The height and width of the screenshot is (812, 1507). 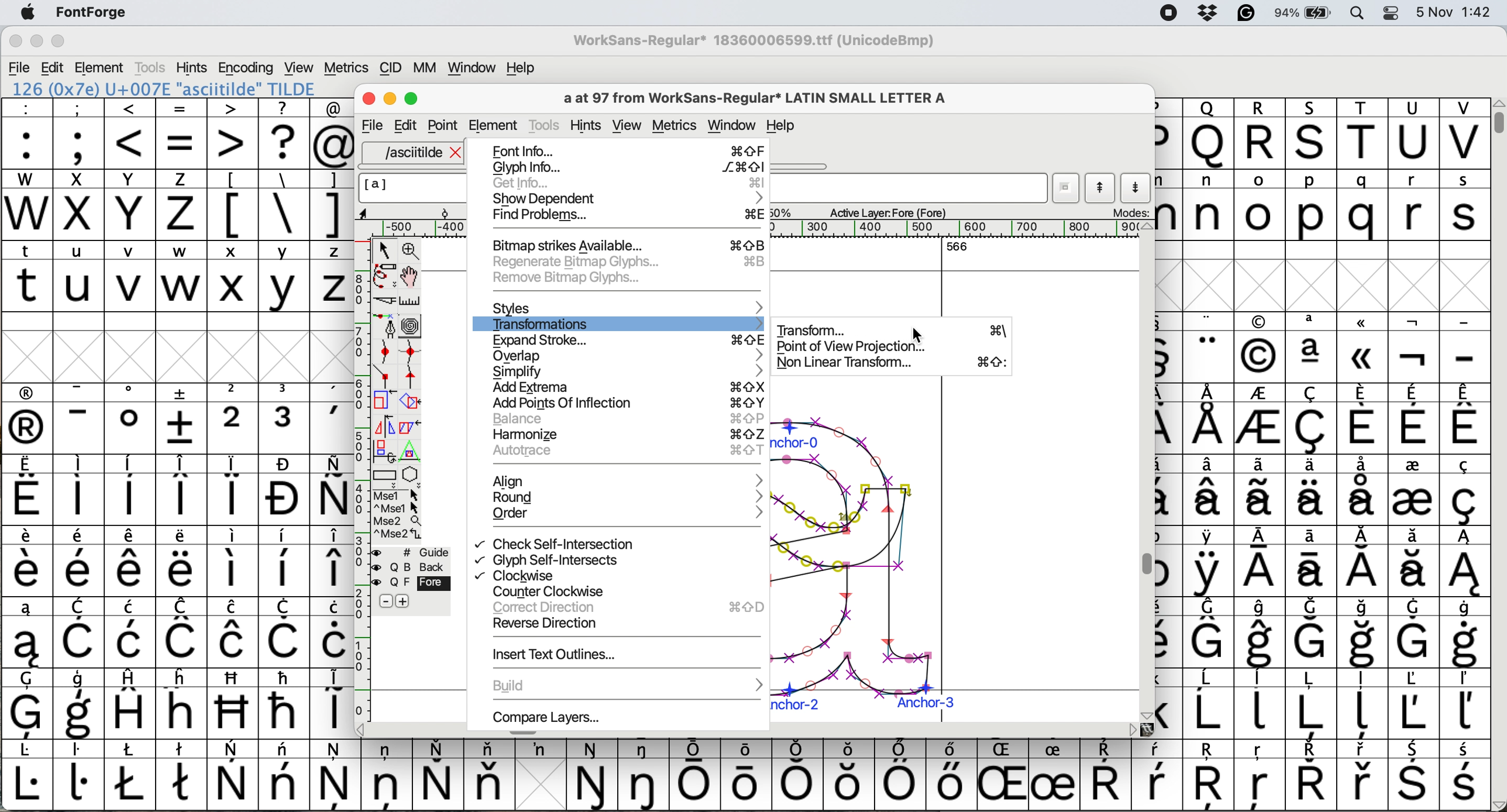 What do you see at coordinates (1412, 703) in the screenshot?
I see `symbol` at bounding box center [1412, 703].